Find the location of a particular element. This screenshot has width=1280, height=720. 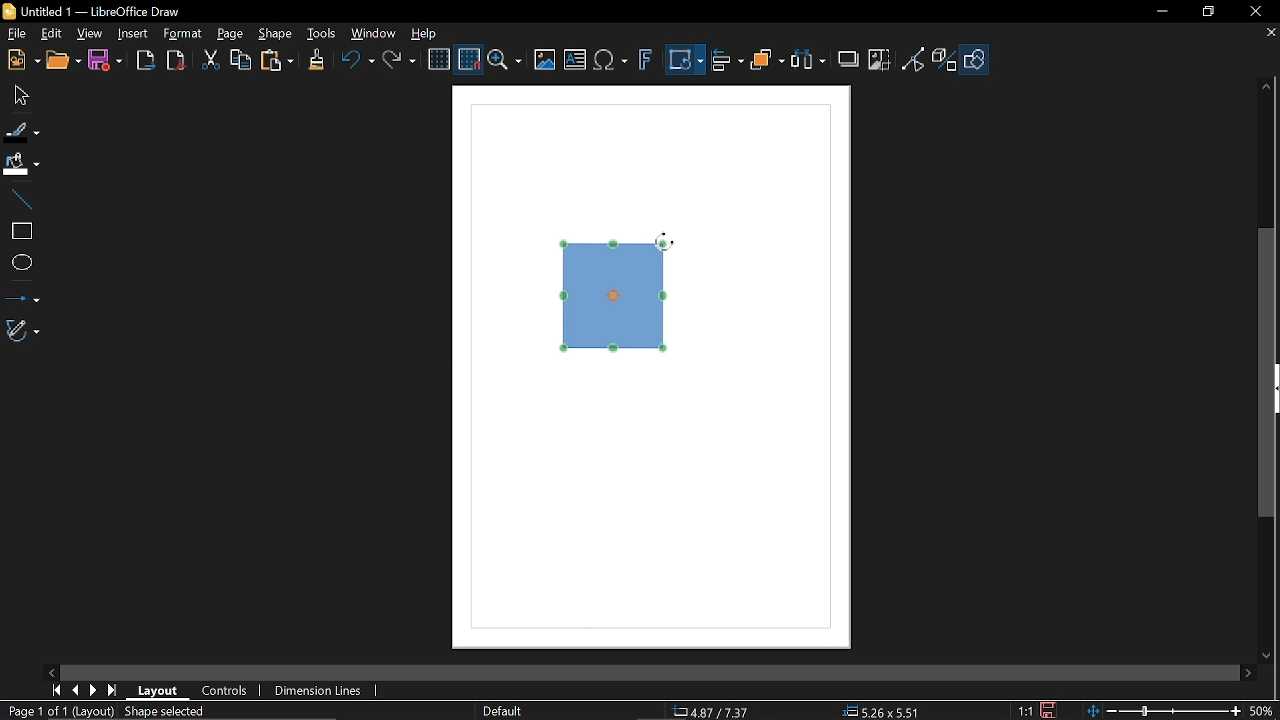

Cut is located at coordinates (208, 61).